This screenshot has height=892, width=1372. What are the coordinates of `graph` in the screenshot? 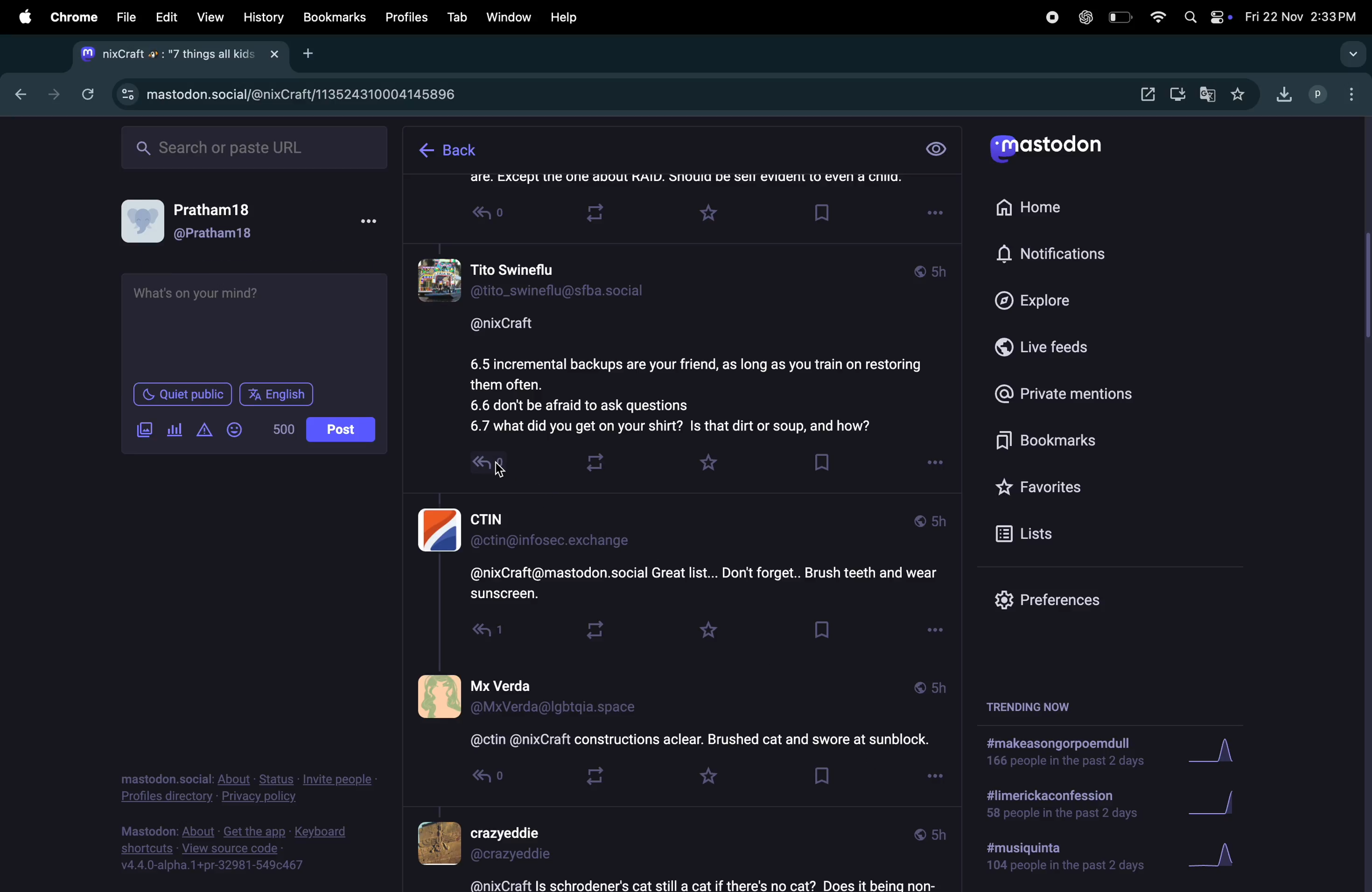 It's located at (1222, 800).